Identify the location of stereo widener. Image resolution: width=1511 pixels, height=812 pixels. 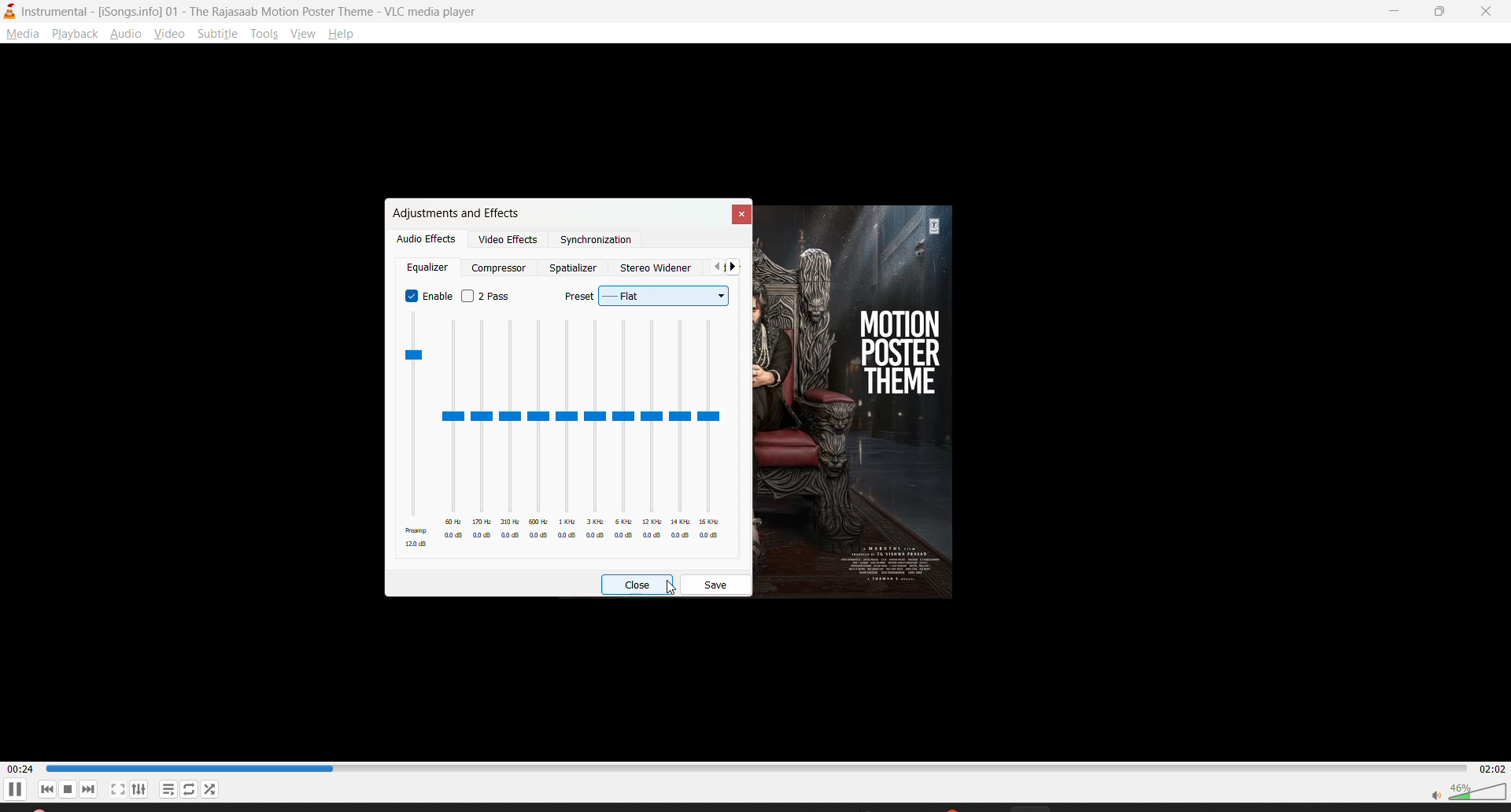
(659, 265).